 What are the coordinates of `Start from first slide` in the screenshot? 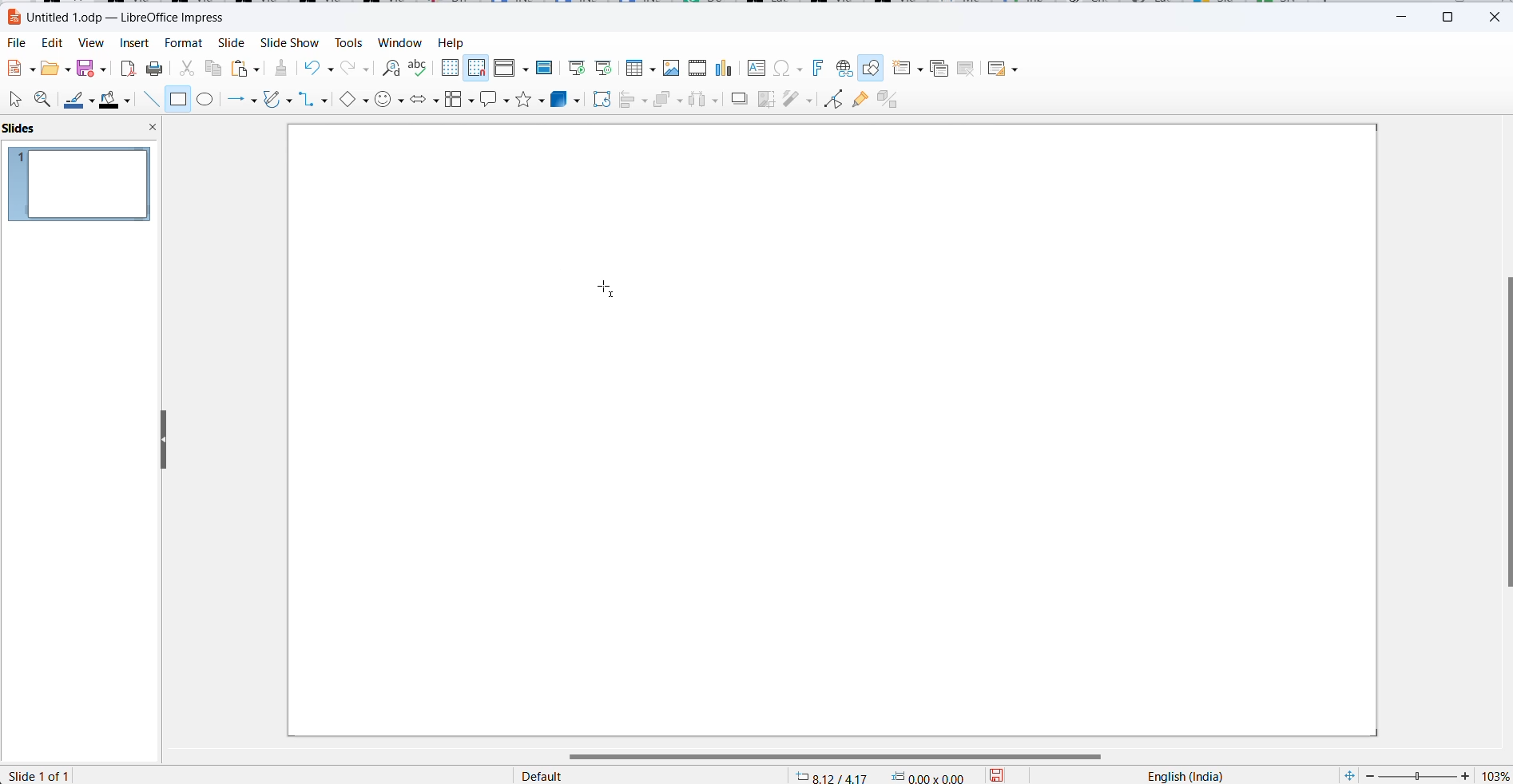 It's located at (578, 66).